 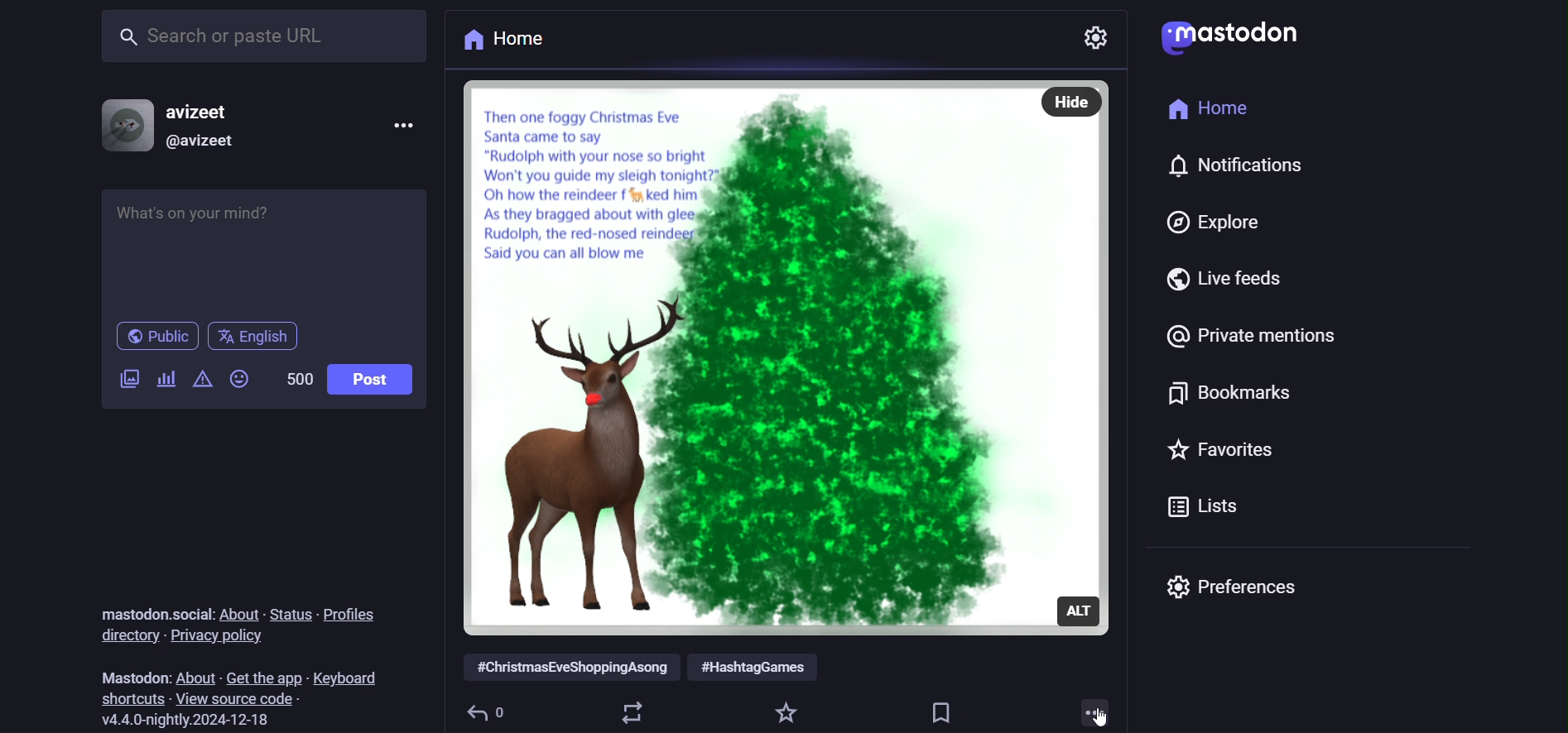 What do you see at coordinates (507, 41) in the screenshot?
I see `home` at bounding box center [507, 41].